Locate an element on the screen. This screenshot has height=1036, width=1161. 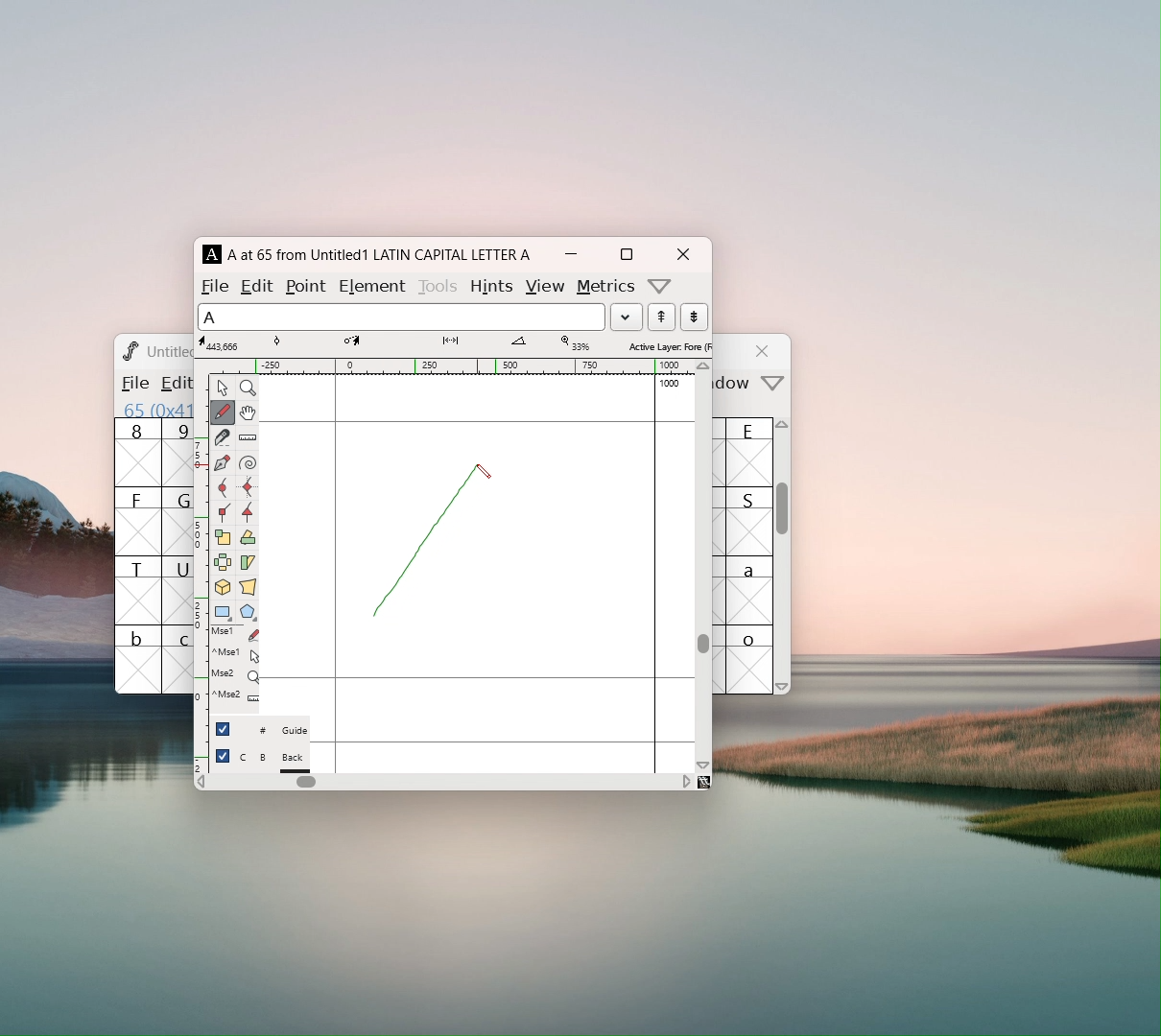
baseline is located at coordinates (478, 678).